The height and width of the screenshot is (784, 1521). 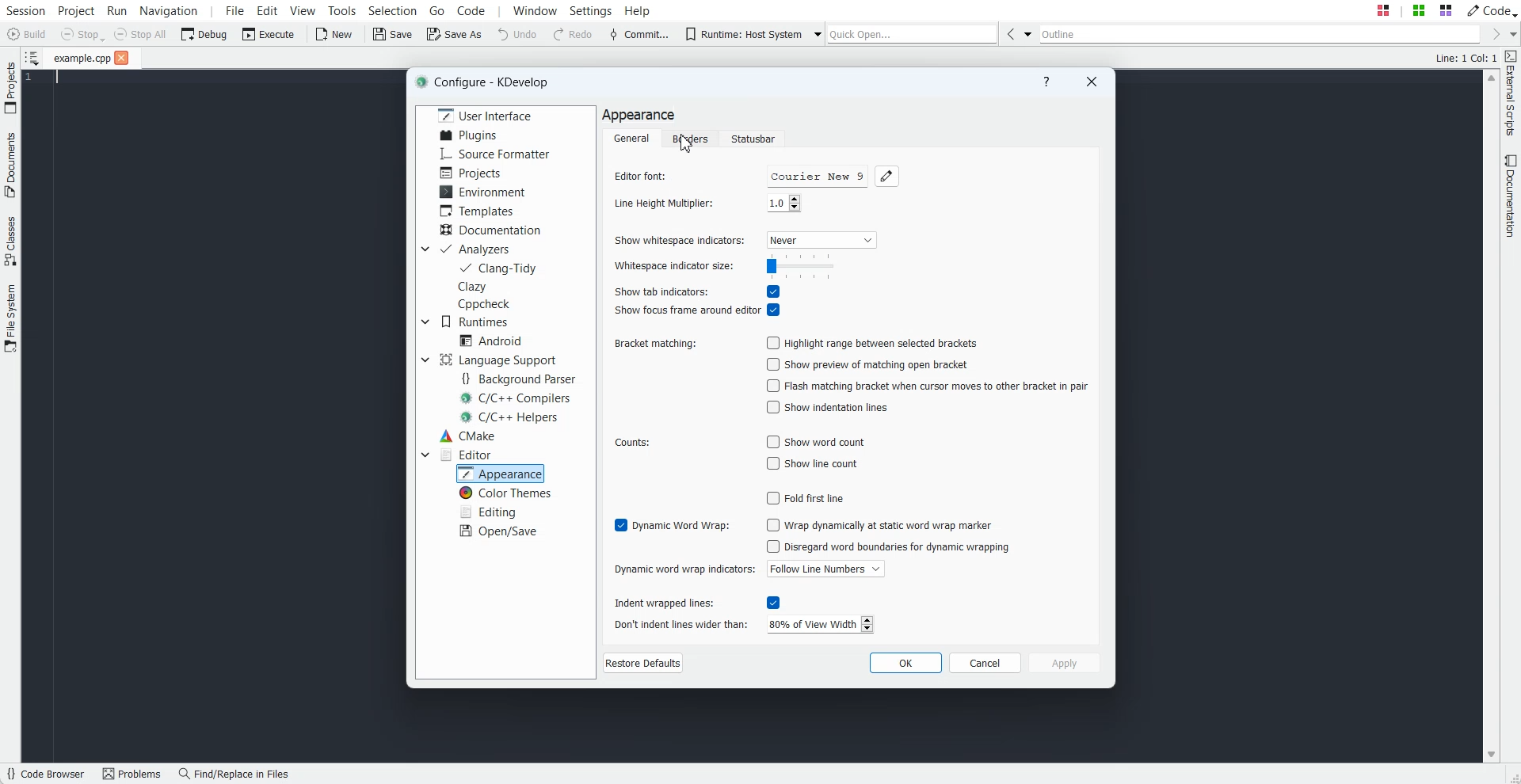 I want to click on Disable Fold first line, so click(x=808, y=498).